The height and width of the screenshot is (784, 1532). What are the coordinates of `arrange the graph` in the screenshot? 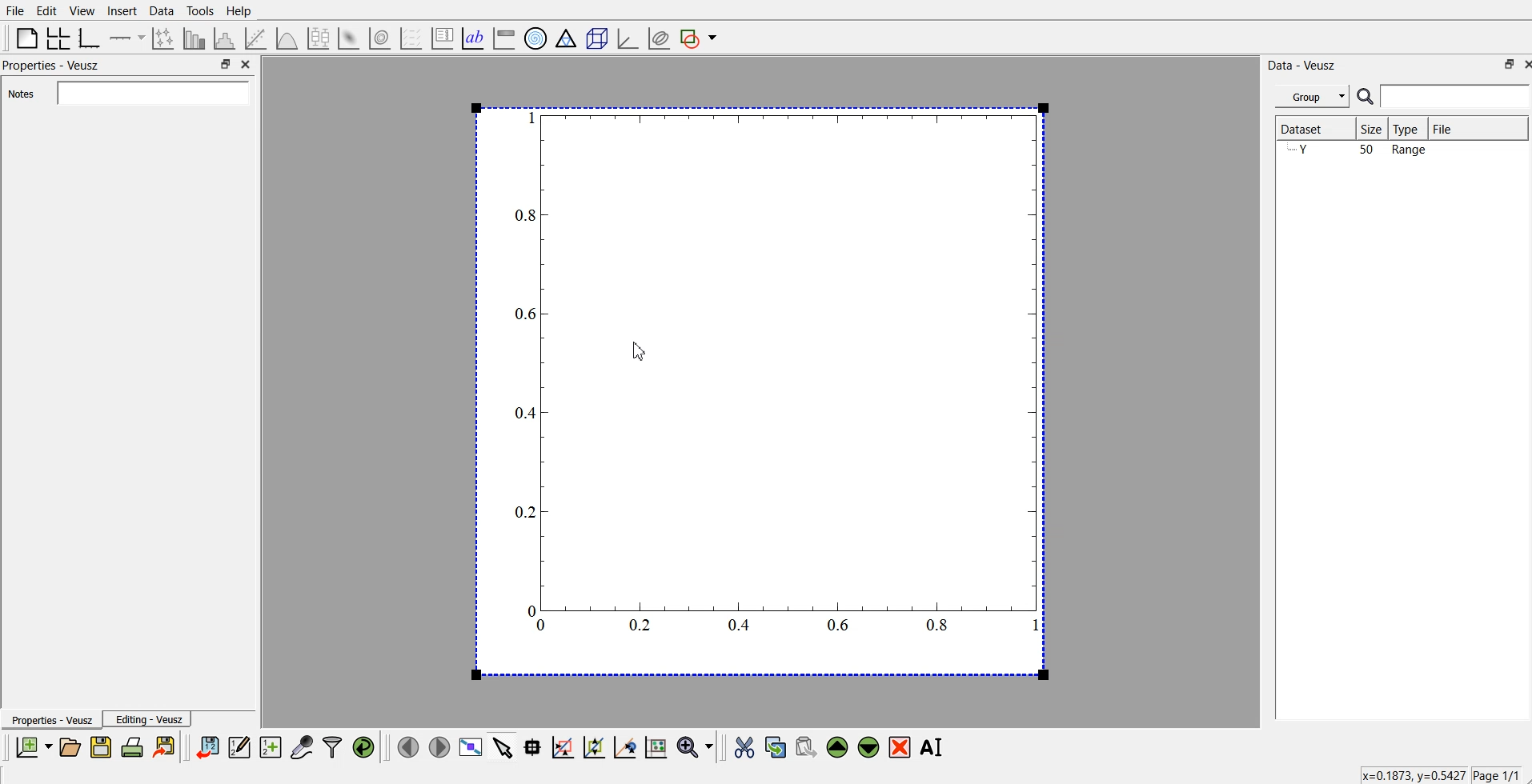 It's located at (59, 37).